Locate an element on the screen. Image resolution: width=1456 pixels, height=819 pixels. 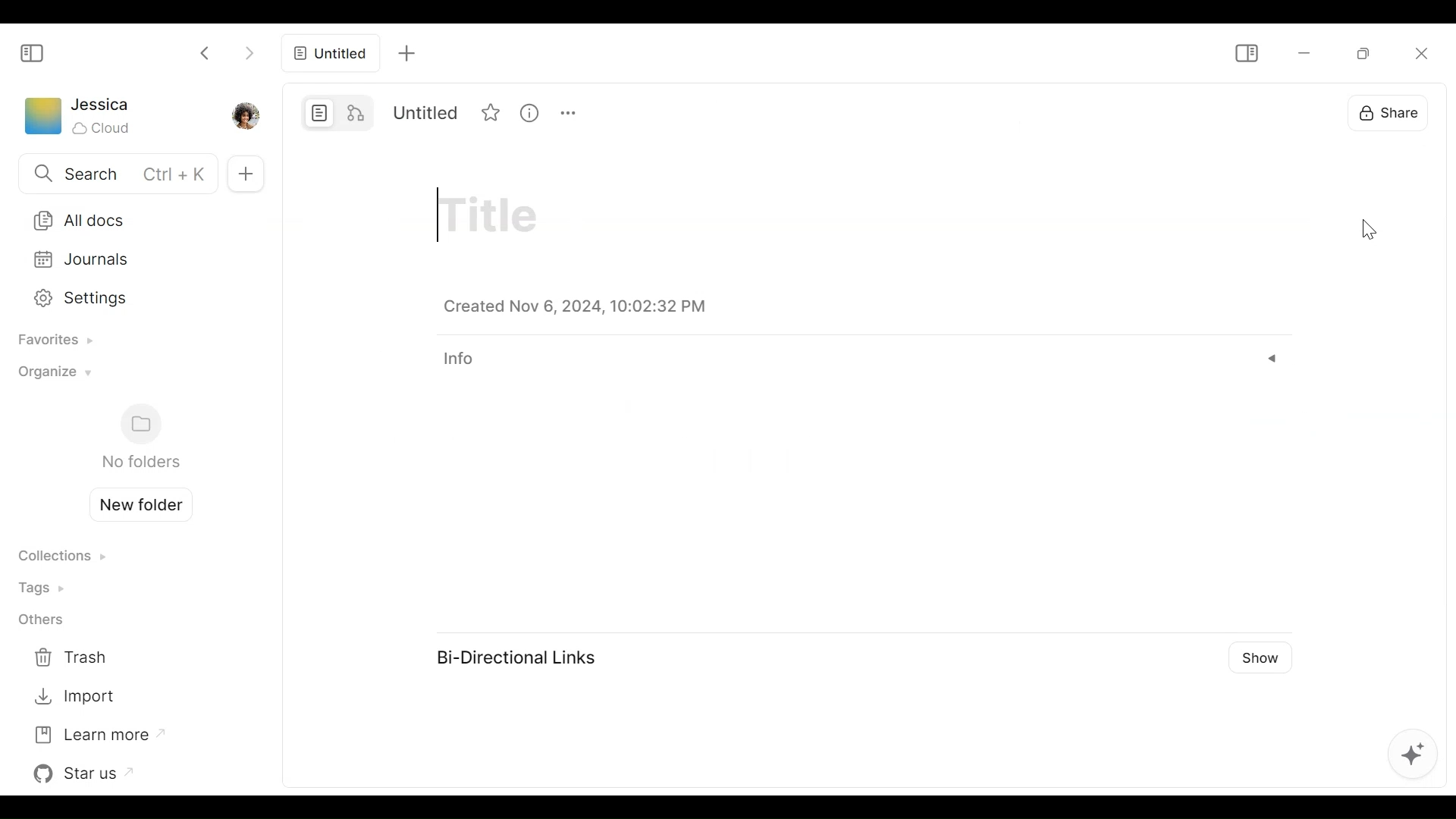
Cloud is located at coordinates (103, 128).